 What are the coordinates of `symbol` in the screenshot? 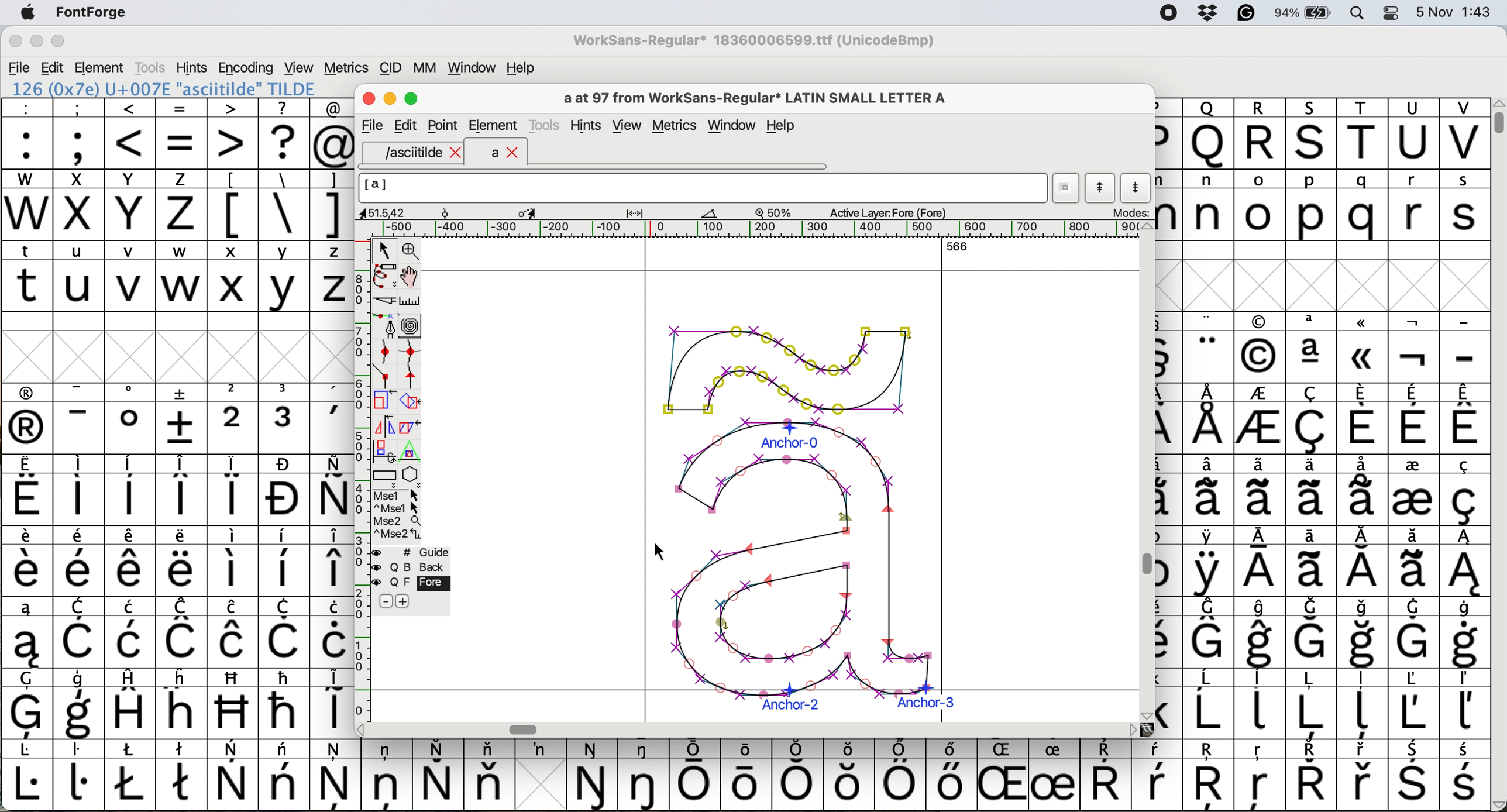 It's located at (27, 776).